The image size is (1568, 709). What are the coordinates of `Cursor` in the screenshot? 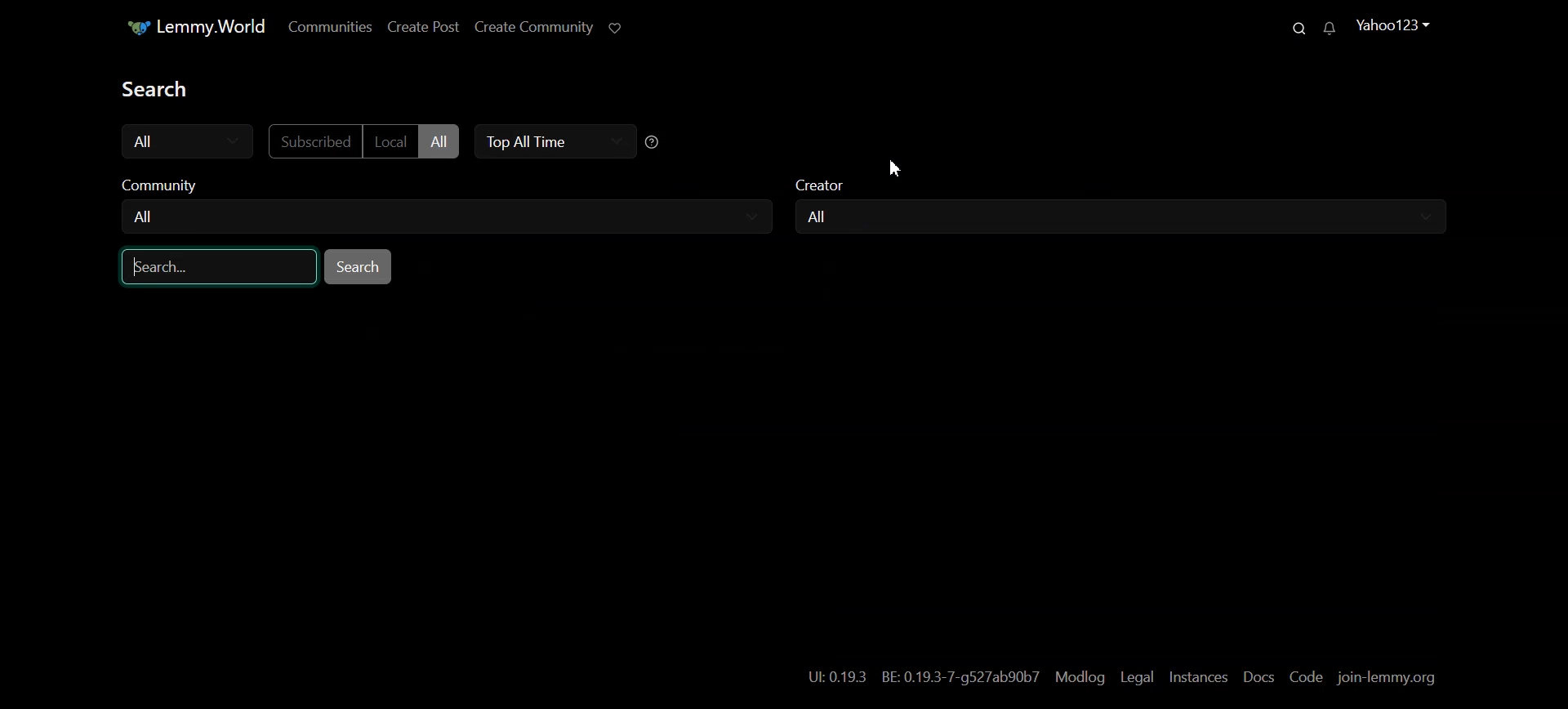 It's located at (895, 167).